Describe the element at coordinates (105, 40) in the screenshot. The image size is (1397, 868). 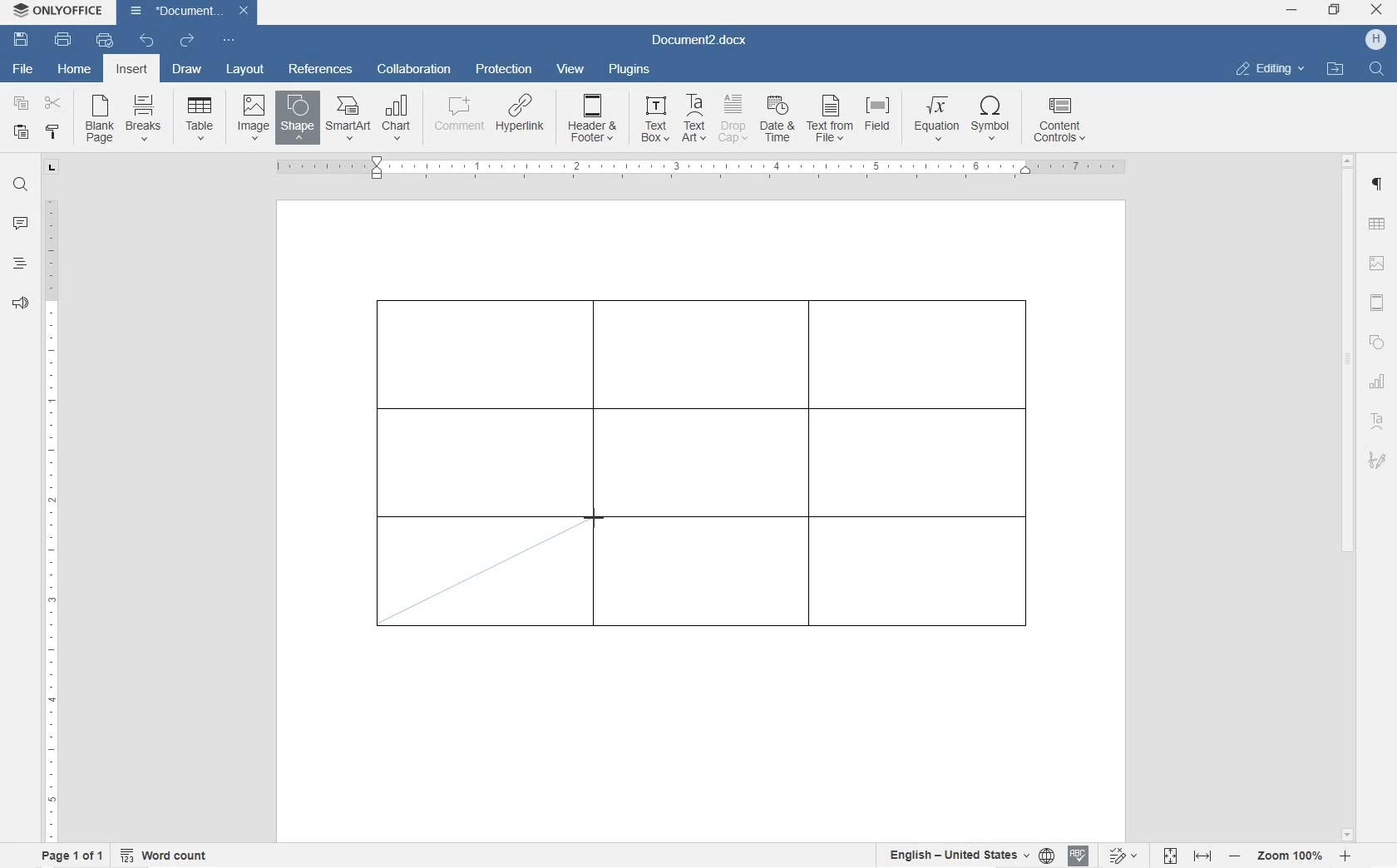
I see `quick print` at that location.